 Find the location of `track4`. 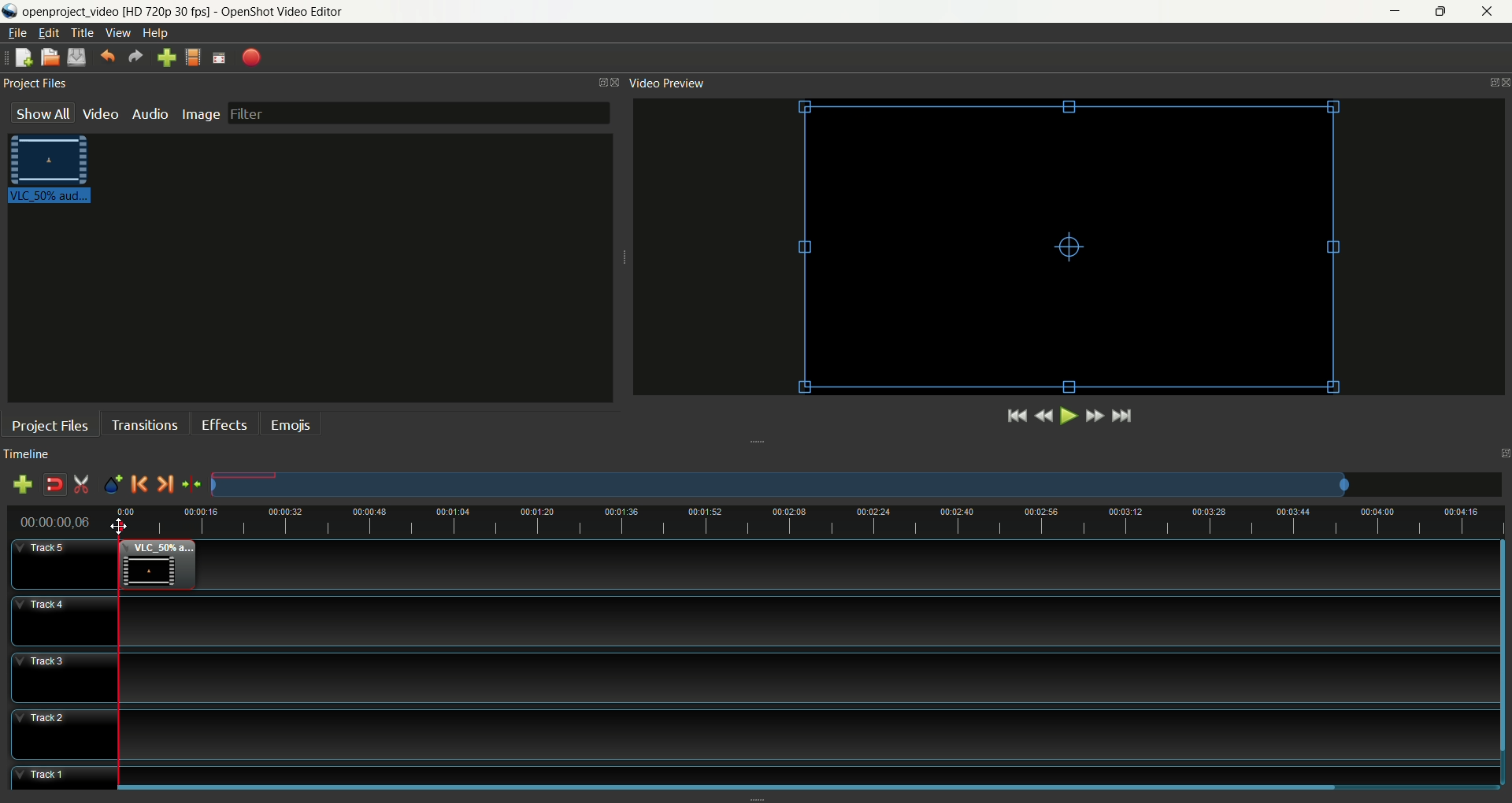

track4 is located at coordinates (64, 620).